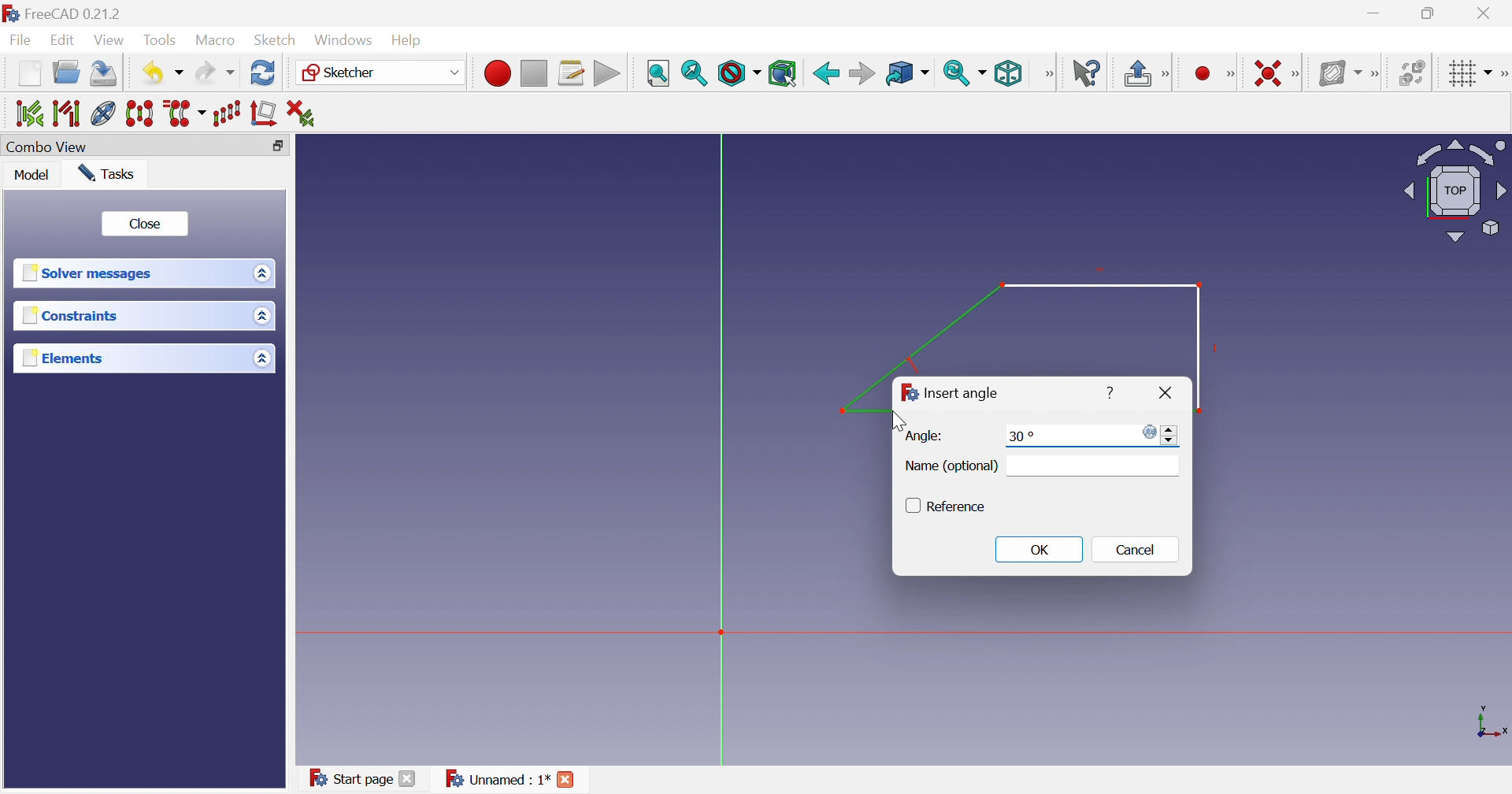 The height and width of the screenshot is (794, 1512). What do you see at coordinates (695, 75) in the screenshot?
I see `Fit selection` at bounding box center [695, 75].